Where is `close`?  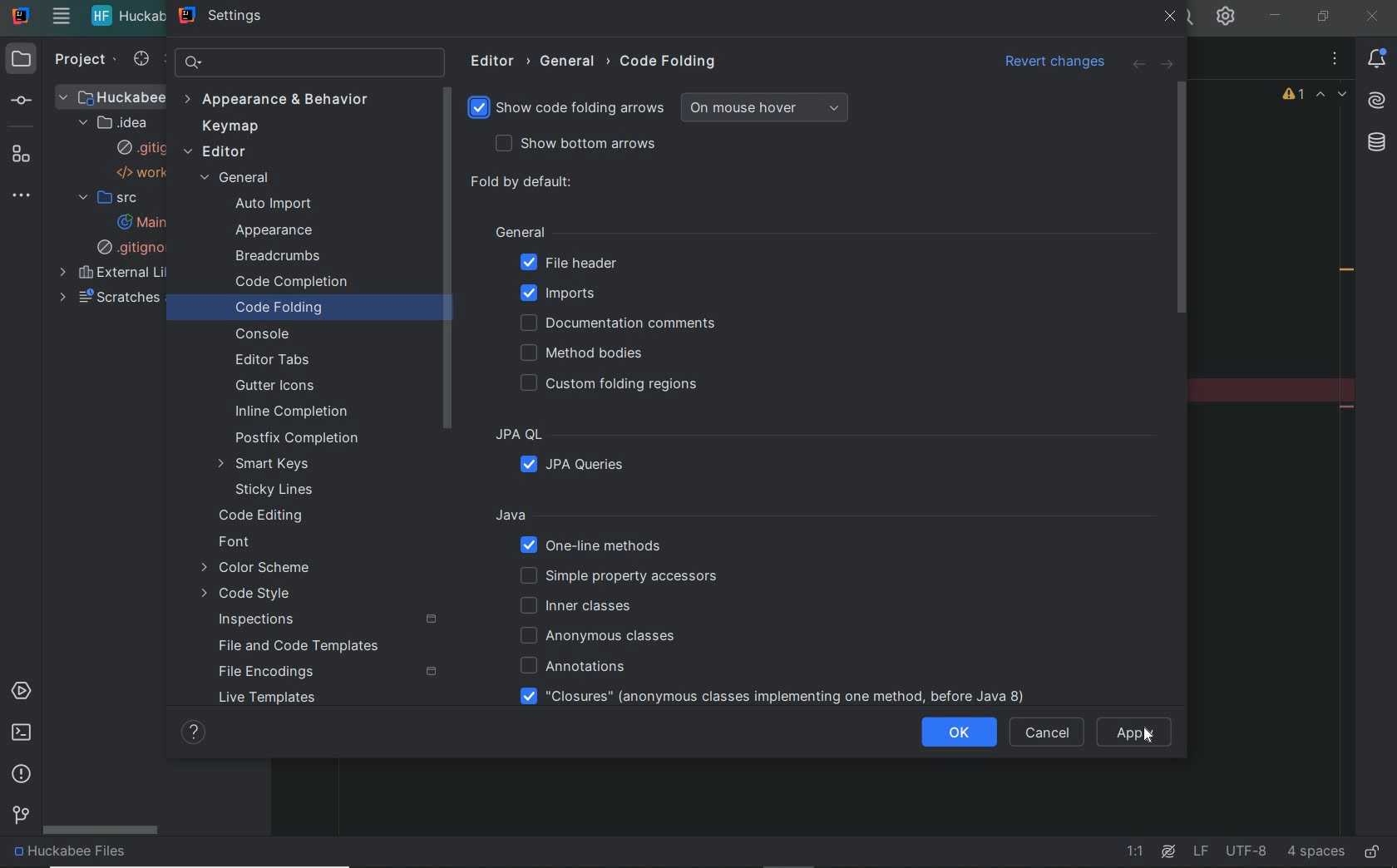
close is located at coordinates (1370, 18).